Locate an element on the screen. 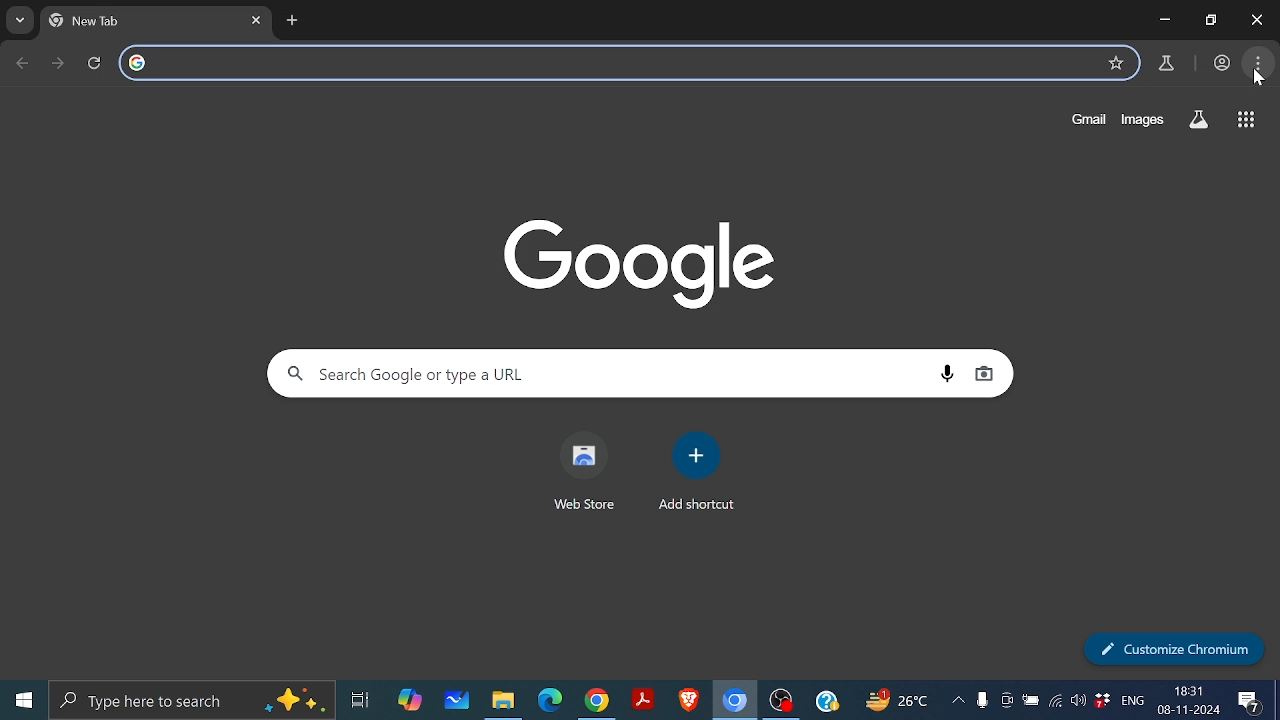 This screenshot has width=1280, height=720. google chrome is located at coordinates (596, 701).